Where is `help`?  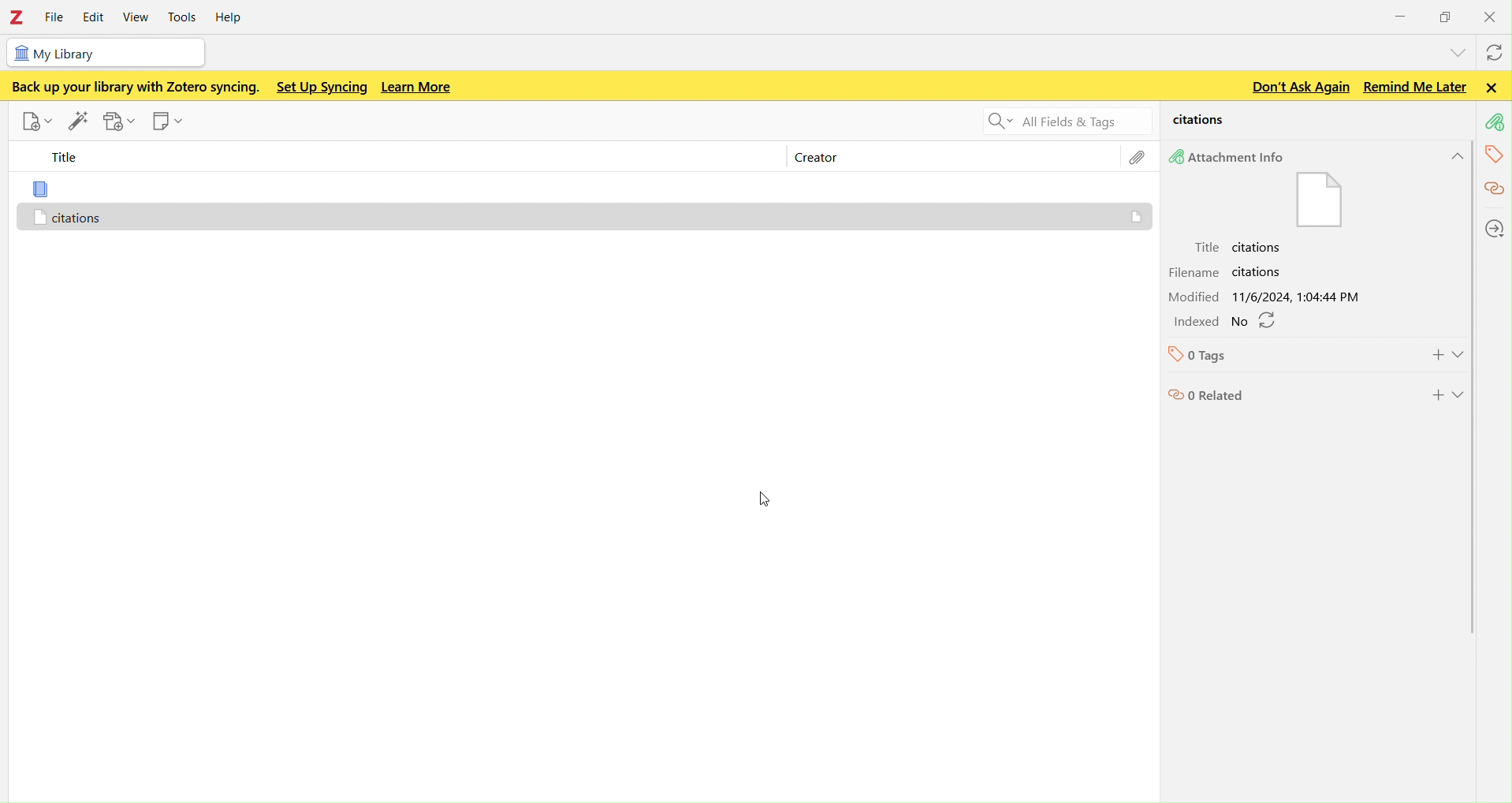 help is located at coordinates (236, 16).